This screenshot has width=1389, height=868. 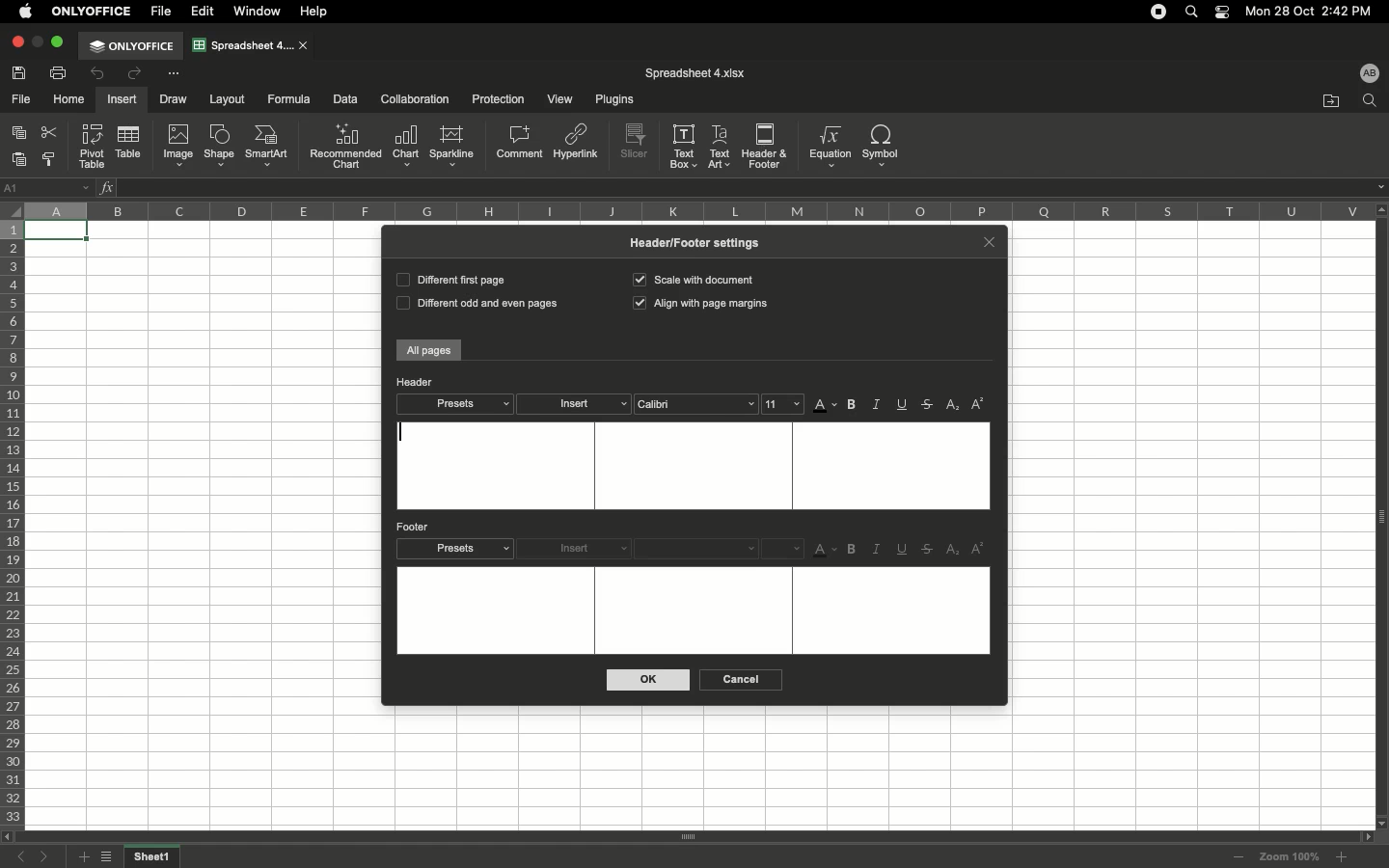 What do you see at coordinates (878, 549) in the screenshot?
I see `Italics` at bounding box center [878, 549].